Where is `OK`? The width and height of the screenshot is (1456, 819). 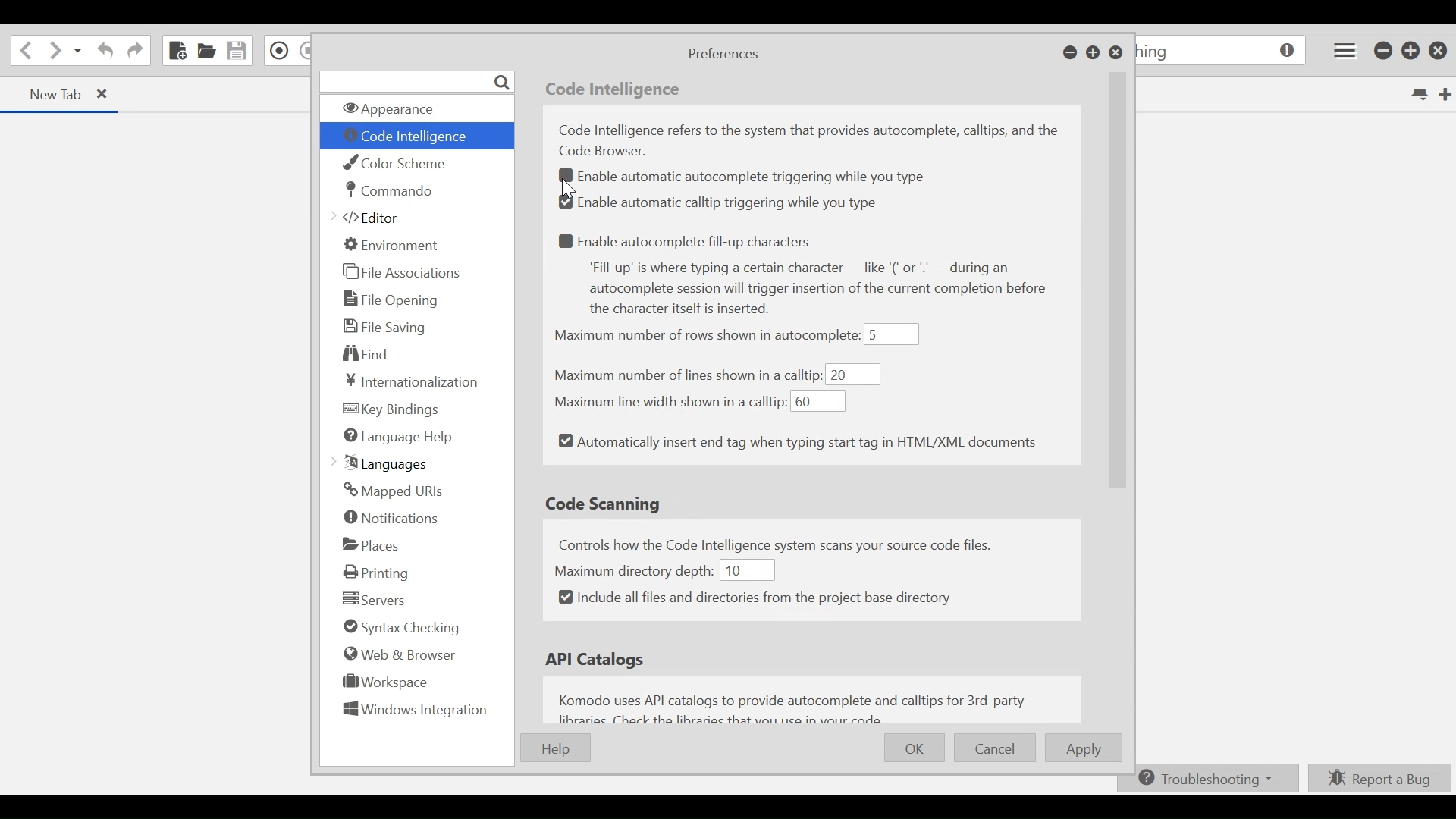 OK is located at coordinates (915, 746).